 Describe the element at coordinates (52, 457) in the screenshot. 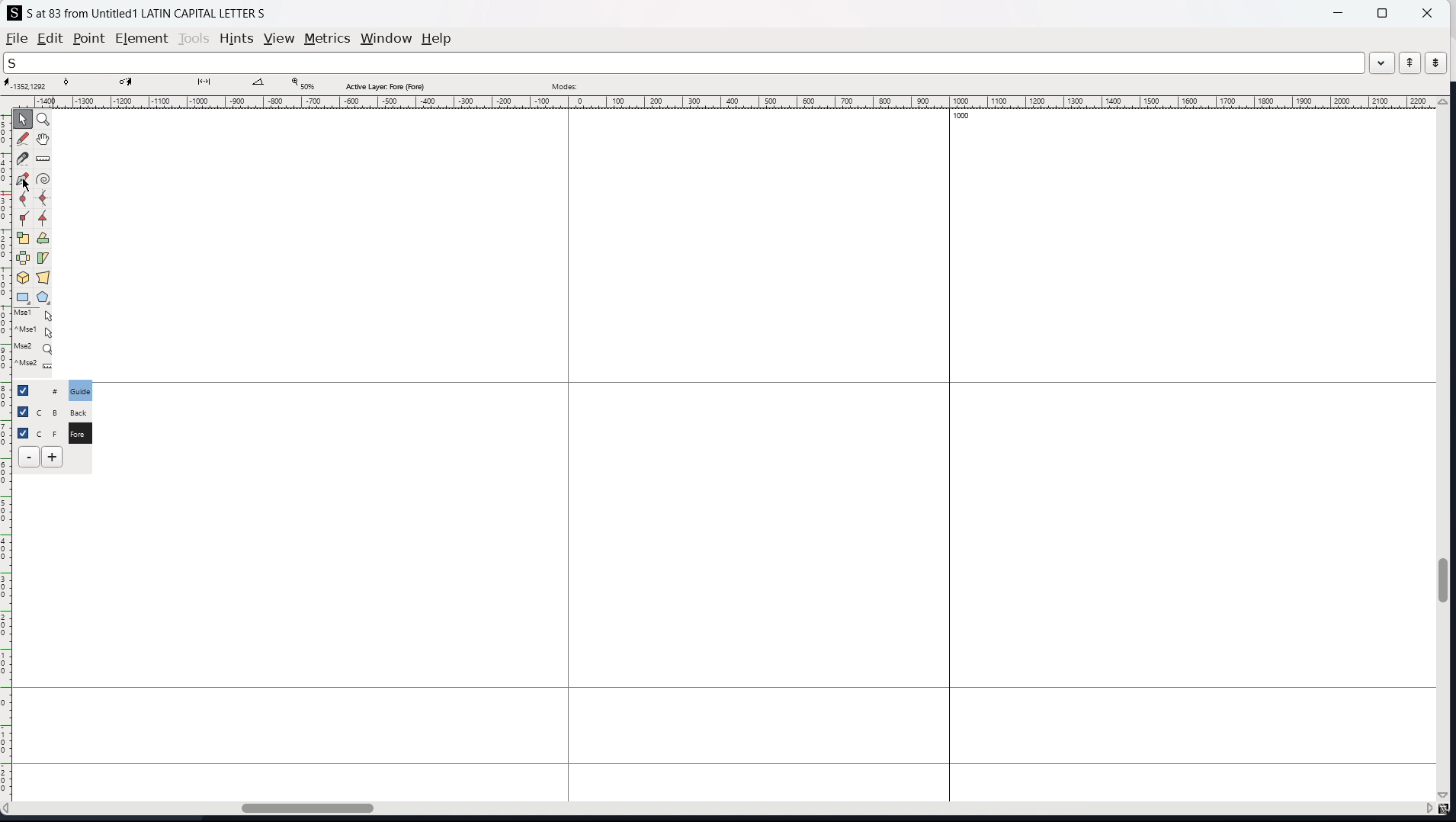

I see `add layers` at that location.